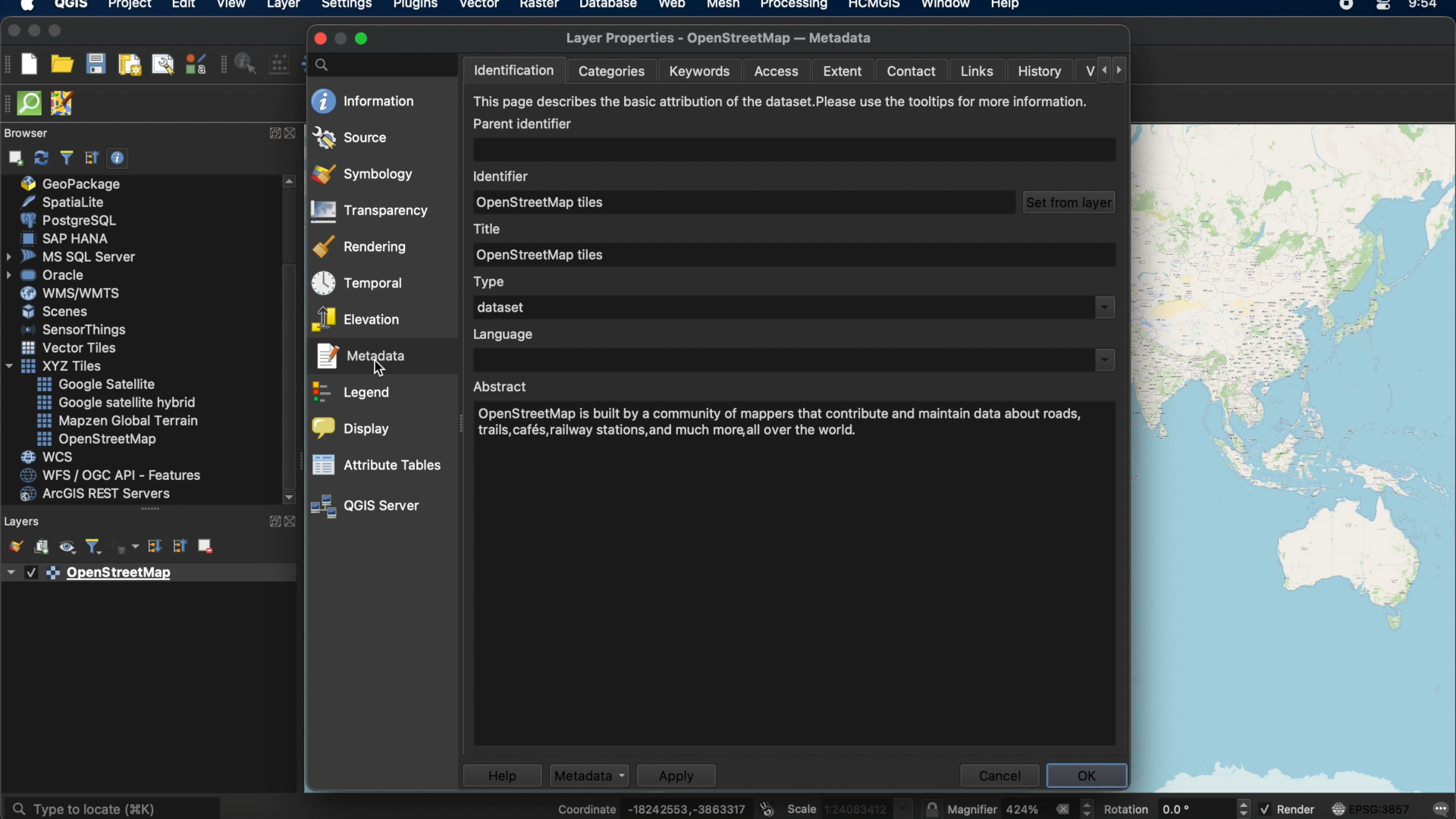  Describe the element at coordinates (548, 203) in the screenshot. I see `openstreetmap tiles` at that location.